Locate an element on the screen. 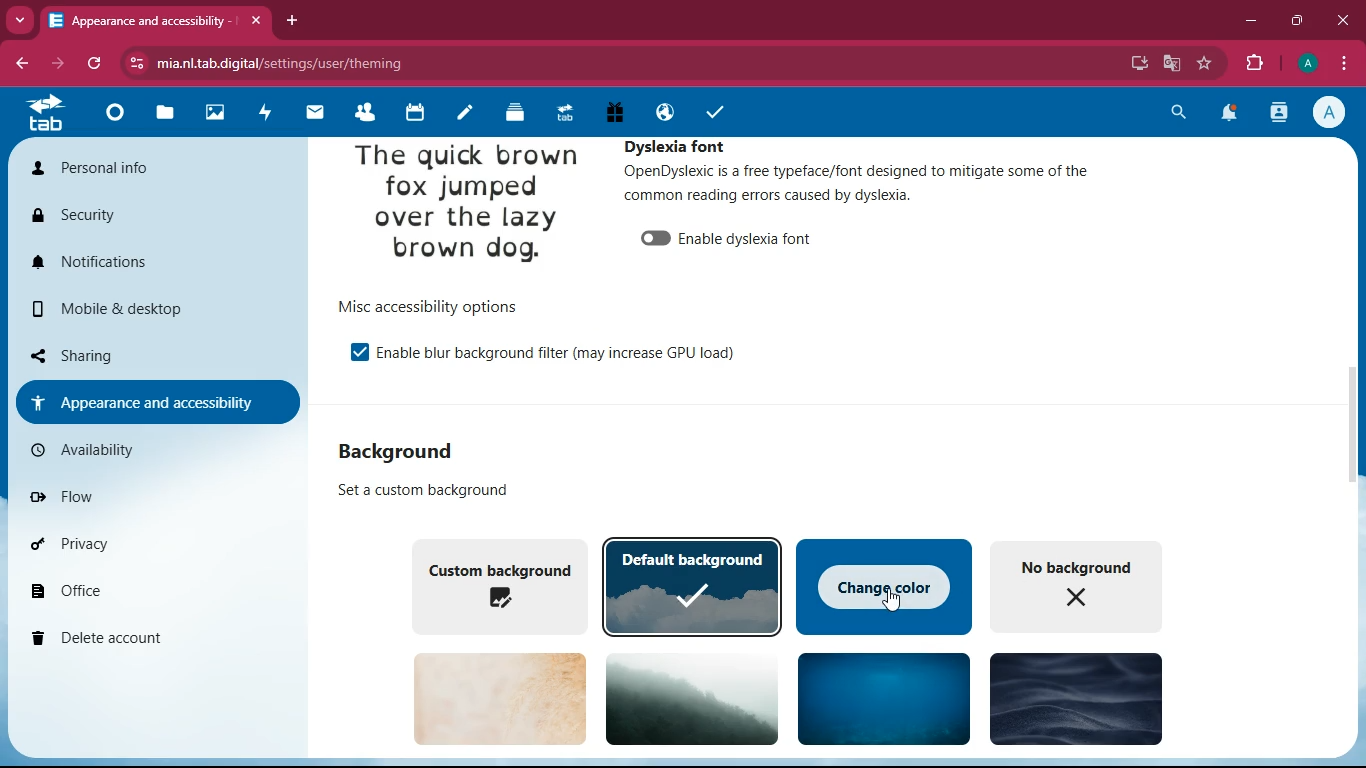 The image size is (1366, 768). office is located at coordinates (140, 589).